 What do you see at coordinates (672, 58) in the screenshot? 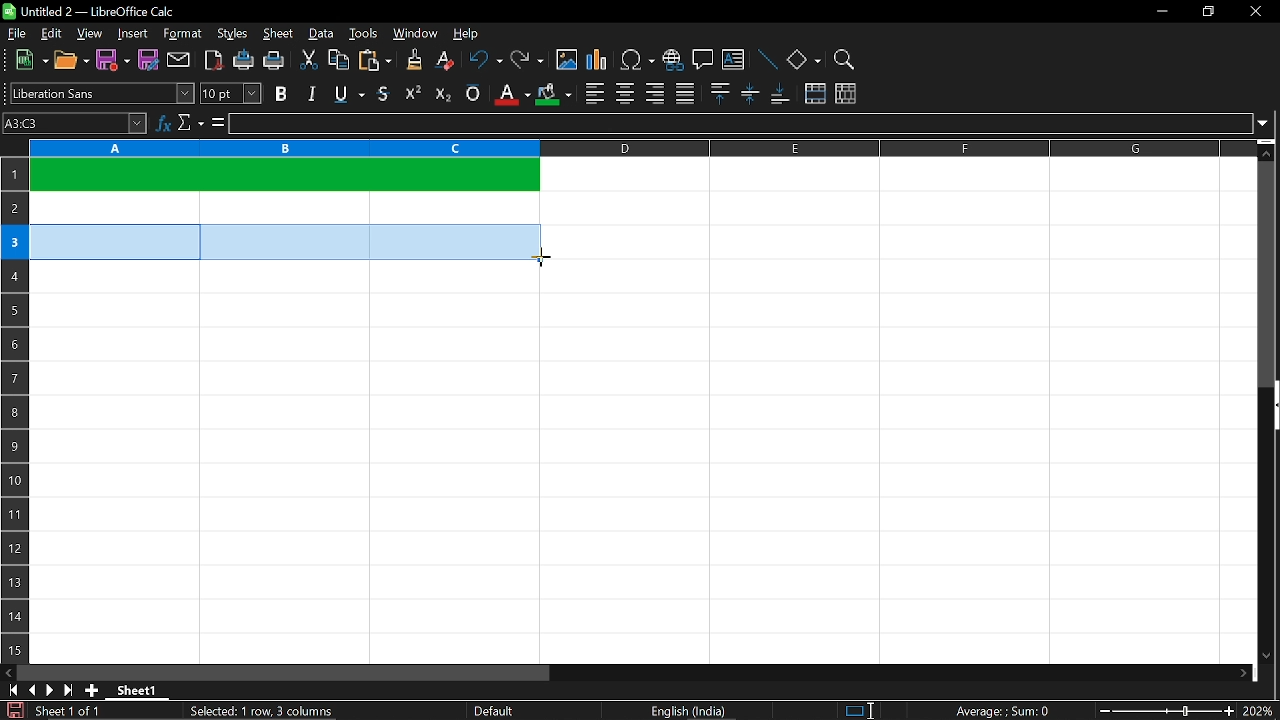
I see `insert hyperlink` at bounding box center [672, 58].